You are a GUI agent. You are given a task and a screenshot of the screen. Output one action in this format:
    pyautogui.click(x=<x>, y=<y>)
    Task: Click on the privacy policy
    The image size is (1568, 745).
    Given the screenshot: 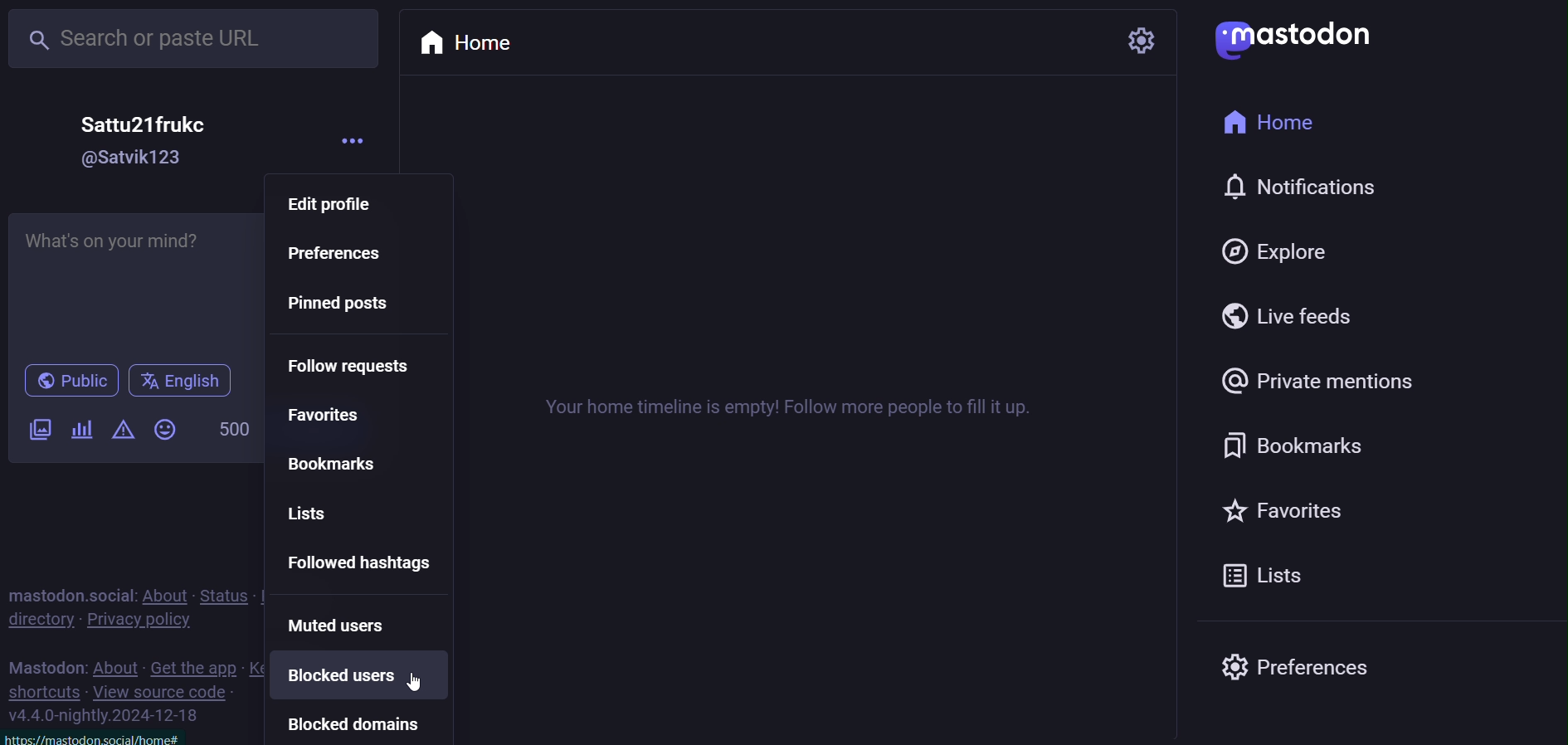 What is the action you would take?
    pyautogui.click(x=152, y=621)
    